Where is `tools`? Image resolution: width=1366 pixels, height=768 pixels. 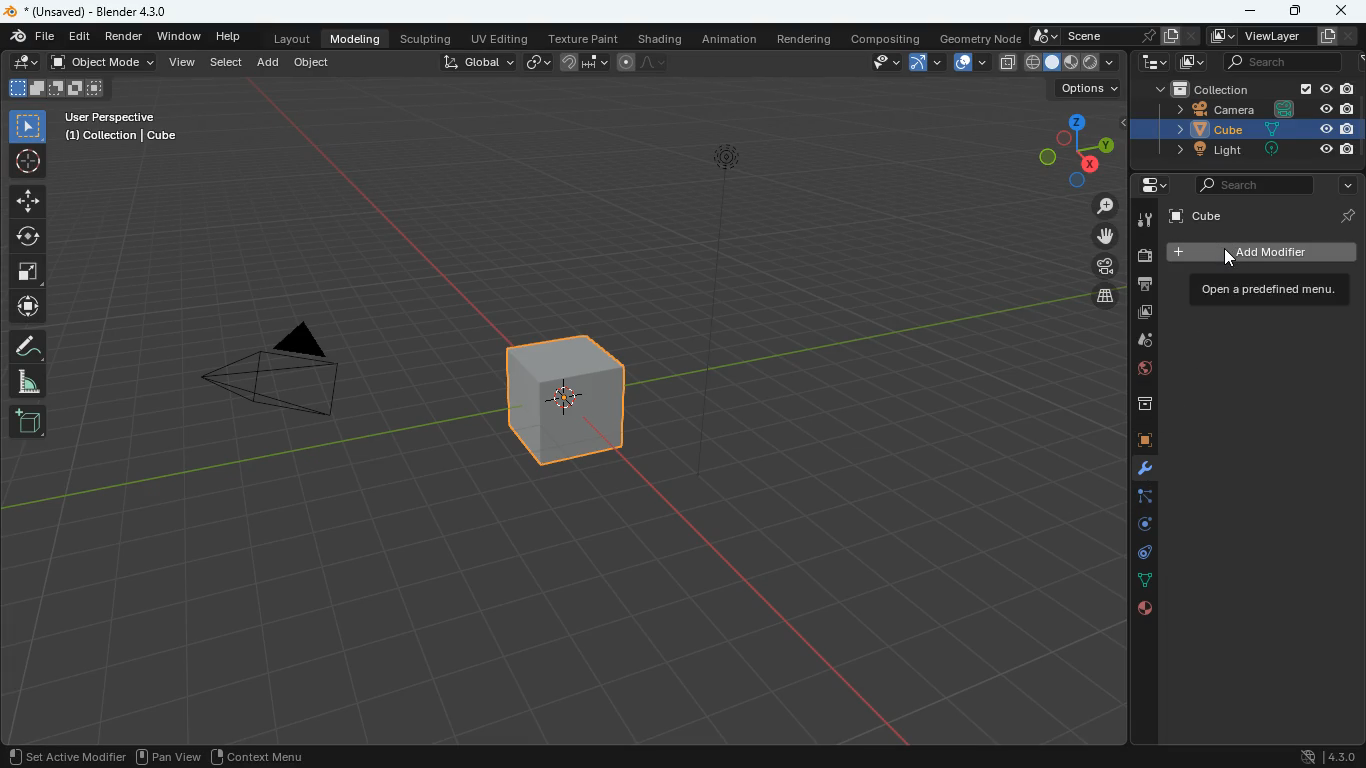 tools is located at coordinates (1144, 222).